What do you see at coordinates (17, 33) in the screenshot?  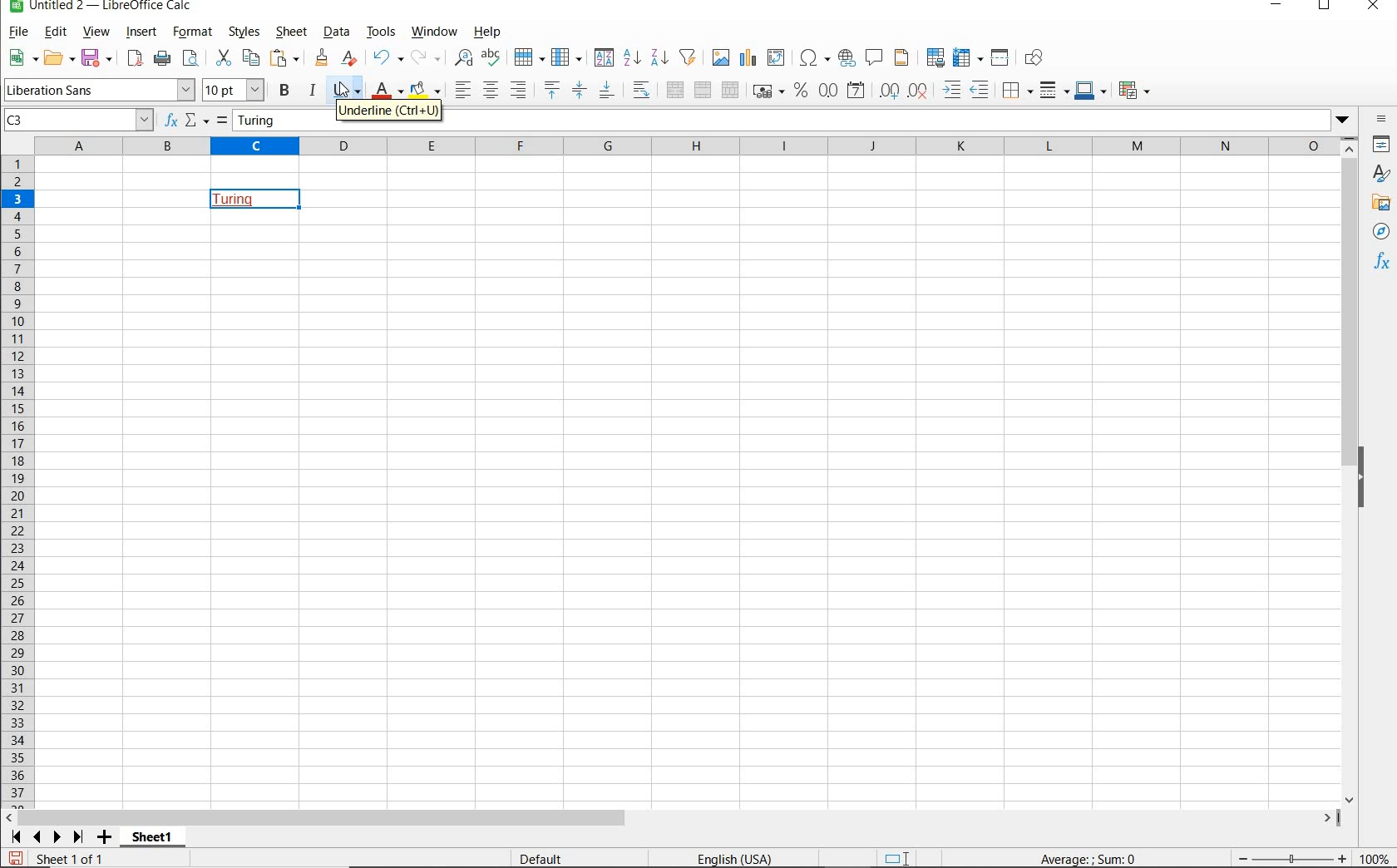 I see `FILE` at bounding box center [17, 33].